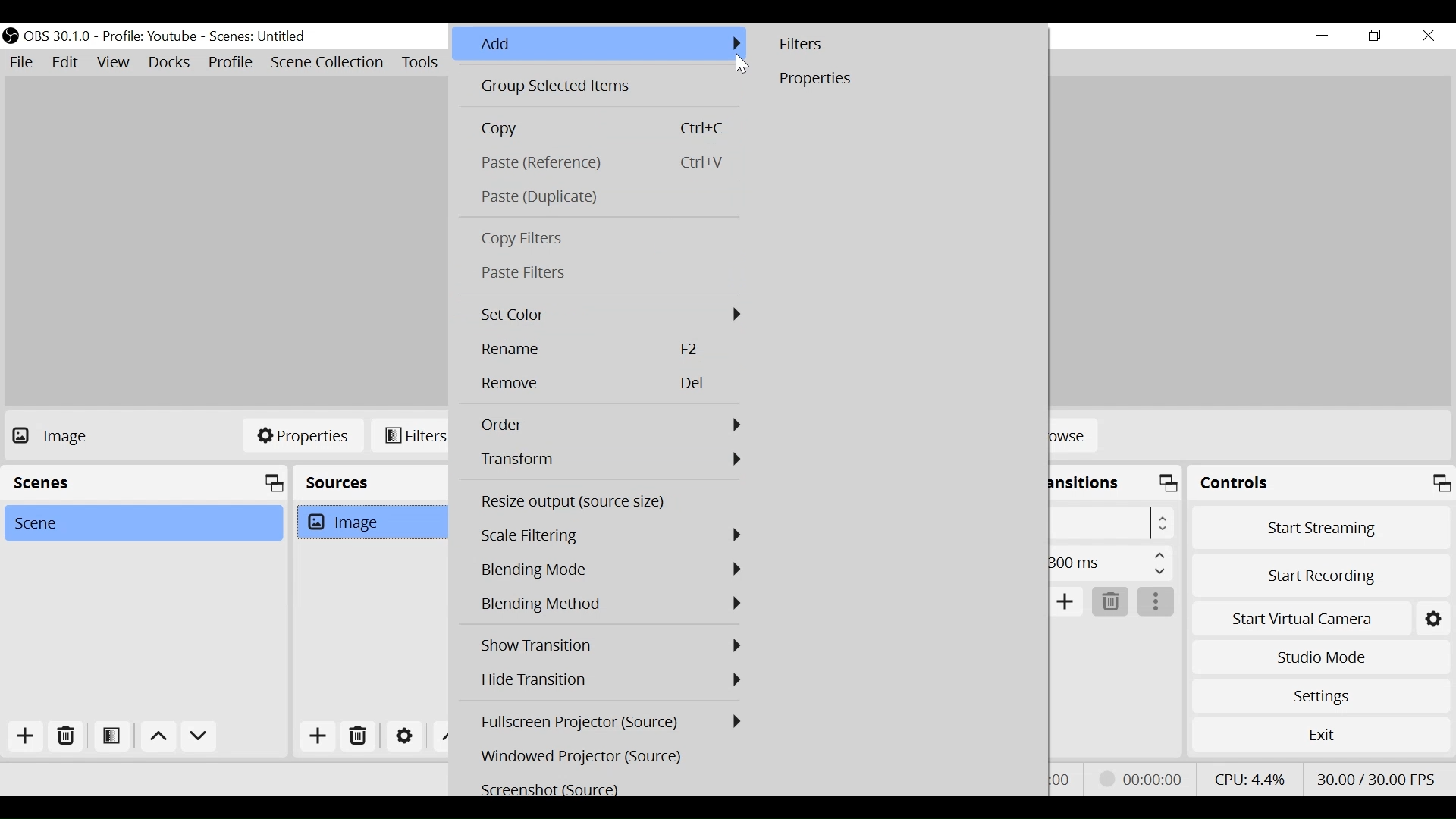 The width and height of the screenshot is (1456, 819). Describe the element at coordinates (261, 37) in the screenshot. I see `Scene Name` at that location.